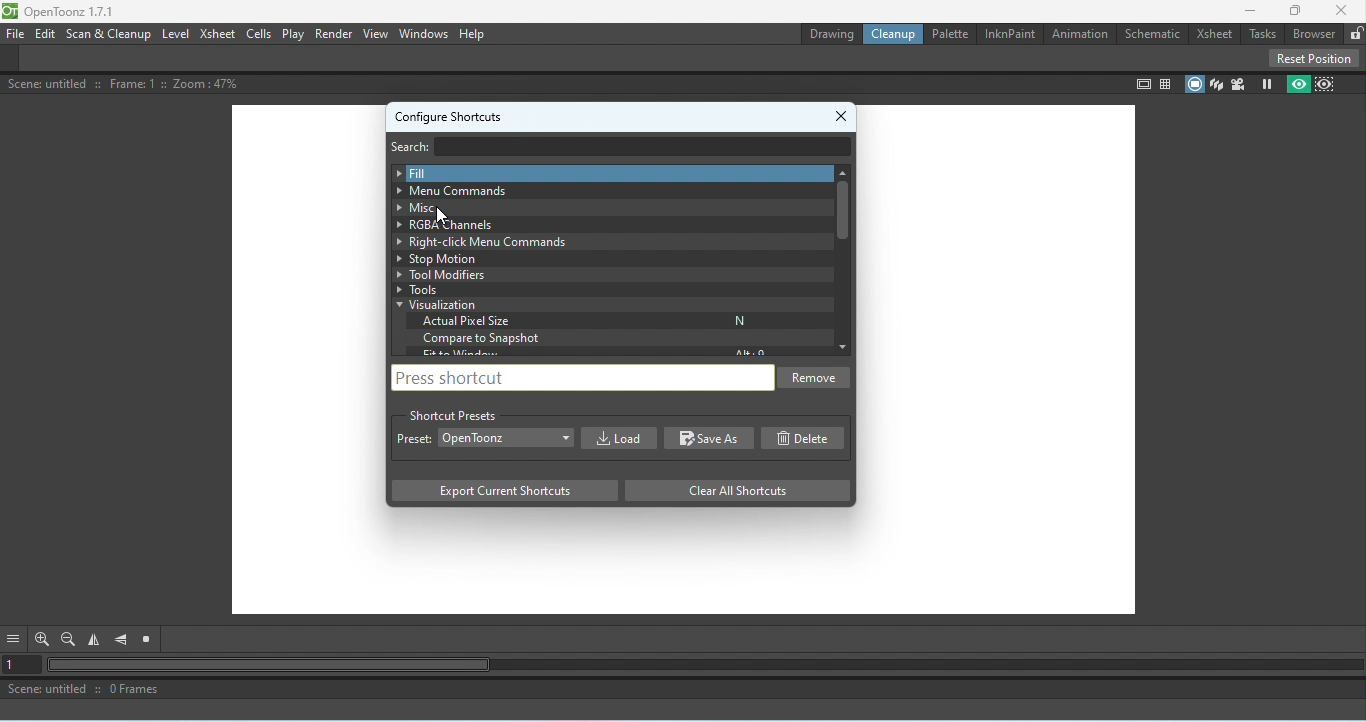 The image size is (1366, 722). What do you see at coordinates (587, 339) in the screenshot?
I see `Compare to snapshot` at bounding box center [587, 339].